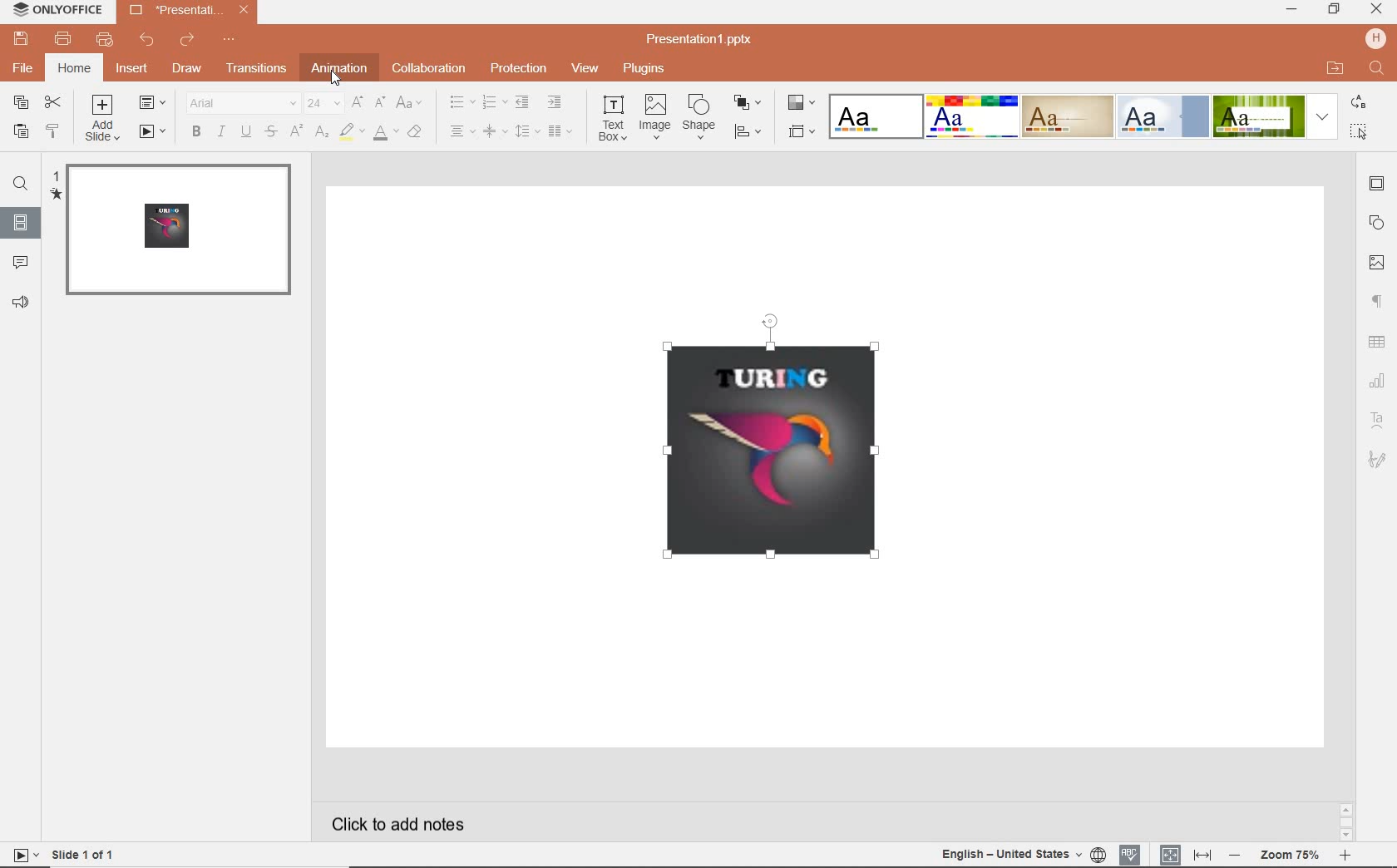 The height and width of the screenshot is (868, 1397). I want to click on set document language, so click(1099, 854).